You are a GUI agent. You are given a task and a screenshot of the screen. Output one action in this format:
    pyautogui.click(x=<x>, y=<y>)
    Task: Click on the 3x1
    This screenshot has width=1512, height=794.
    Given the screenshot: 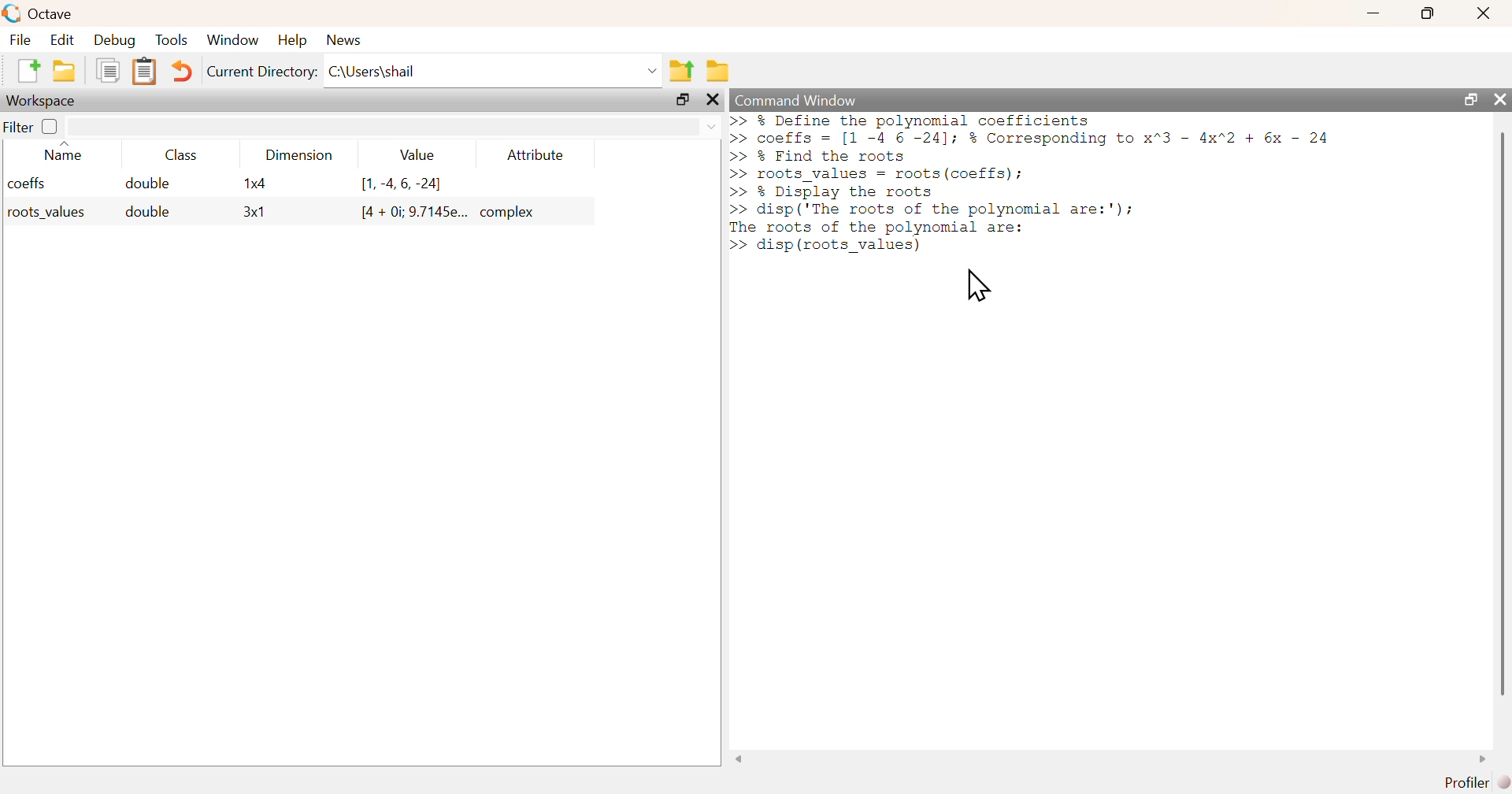 What is the action you would take?
    pyautogui.click(x=254, y=213)
    